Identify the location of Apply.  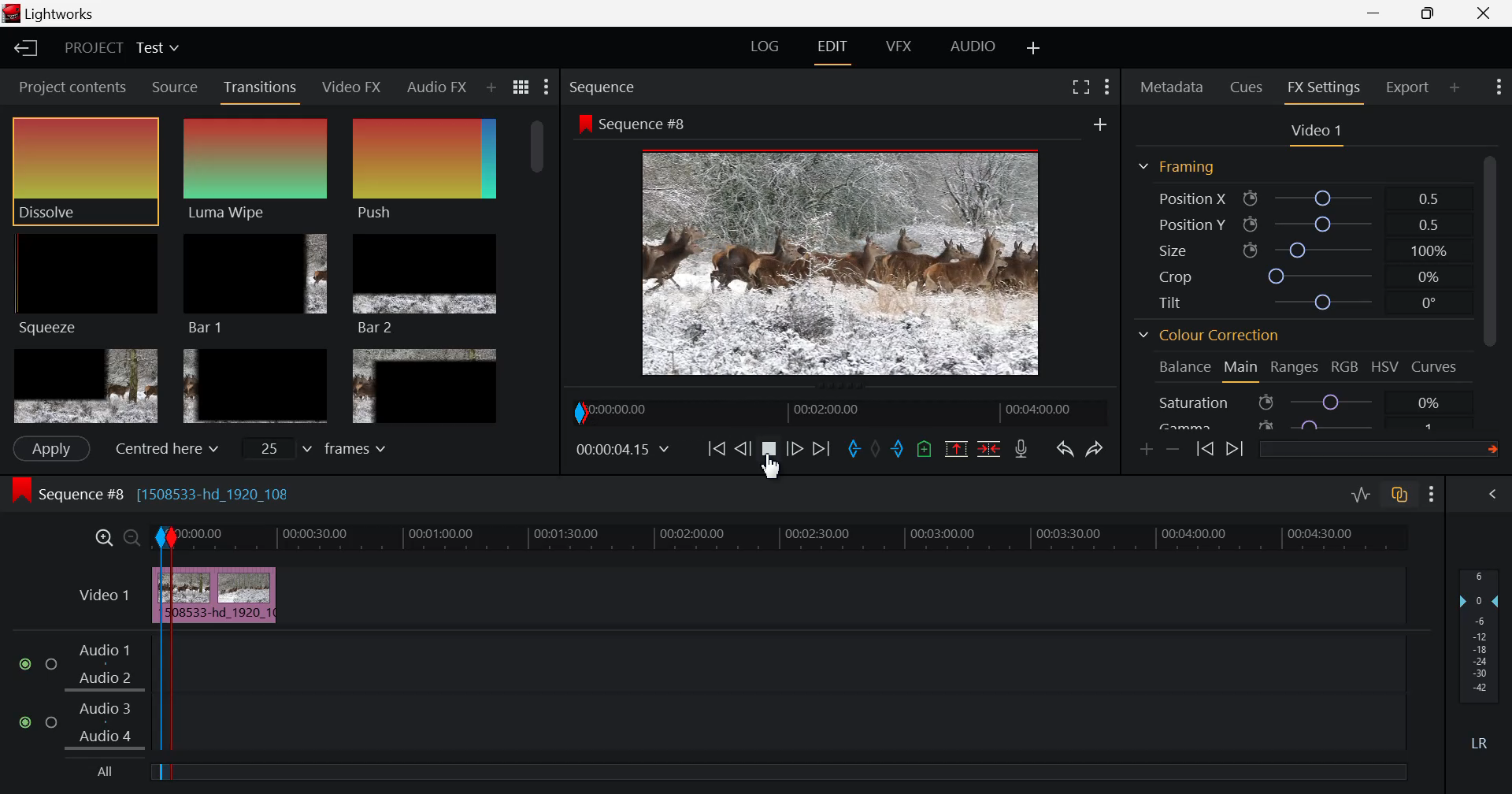
(50, 448).